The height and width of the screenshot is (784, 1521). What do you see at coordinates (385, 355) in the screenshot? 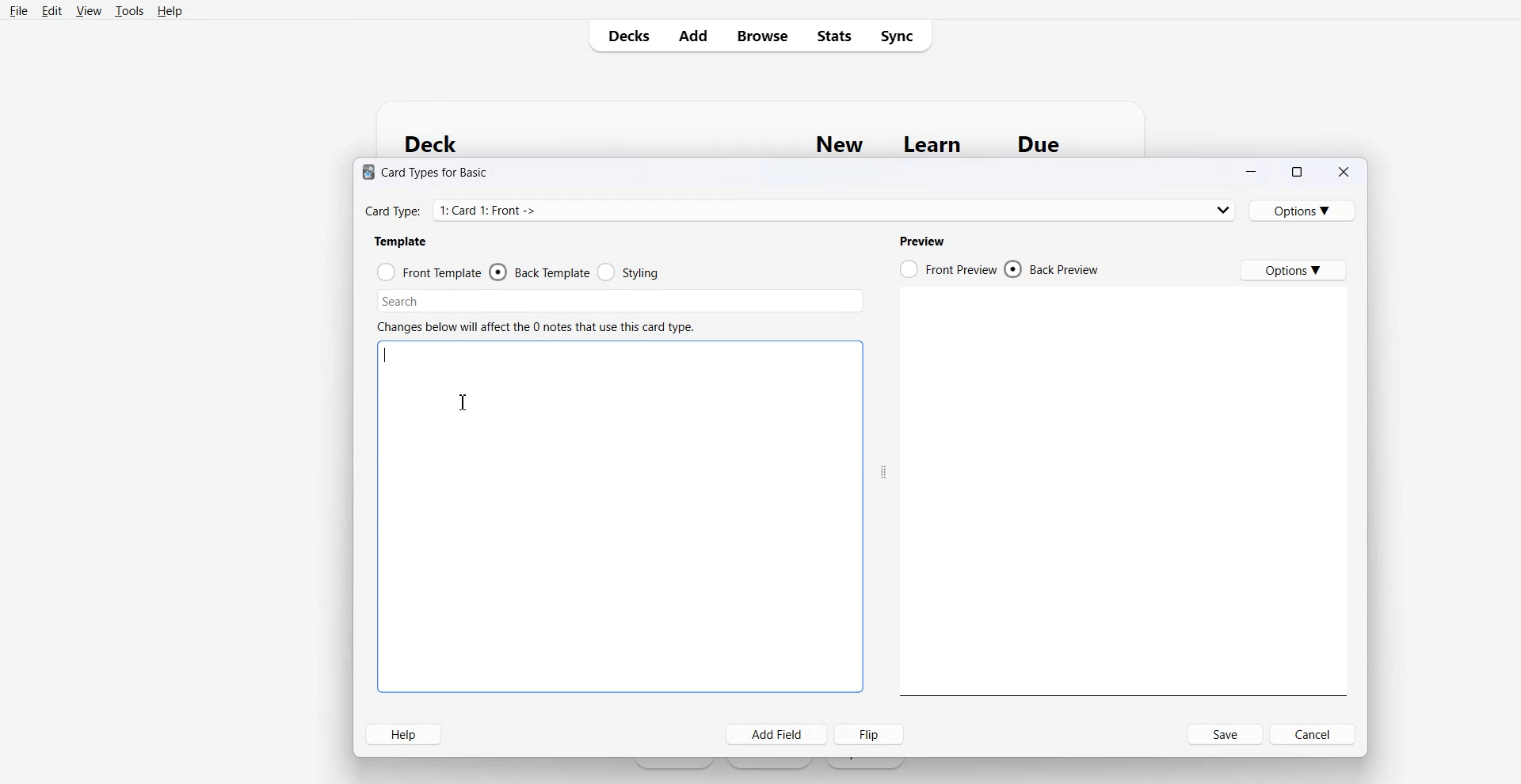
I see `Text cursor` at bounding box center [385, 355].